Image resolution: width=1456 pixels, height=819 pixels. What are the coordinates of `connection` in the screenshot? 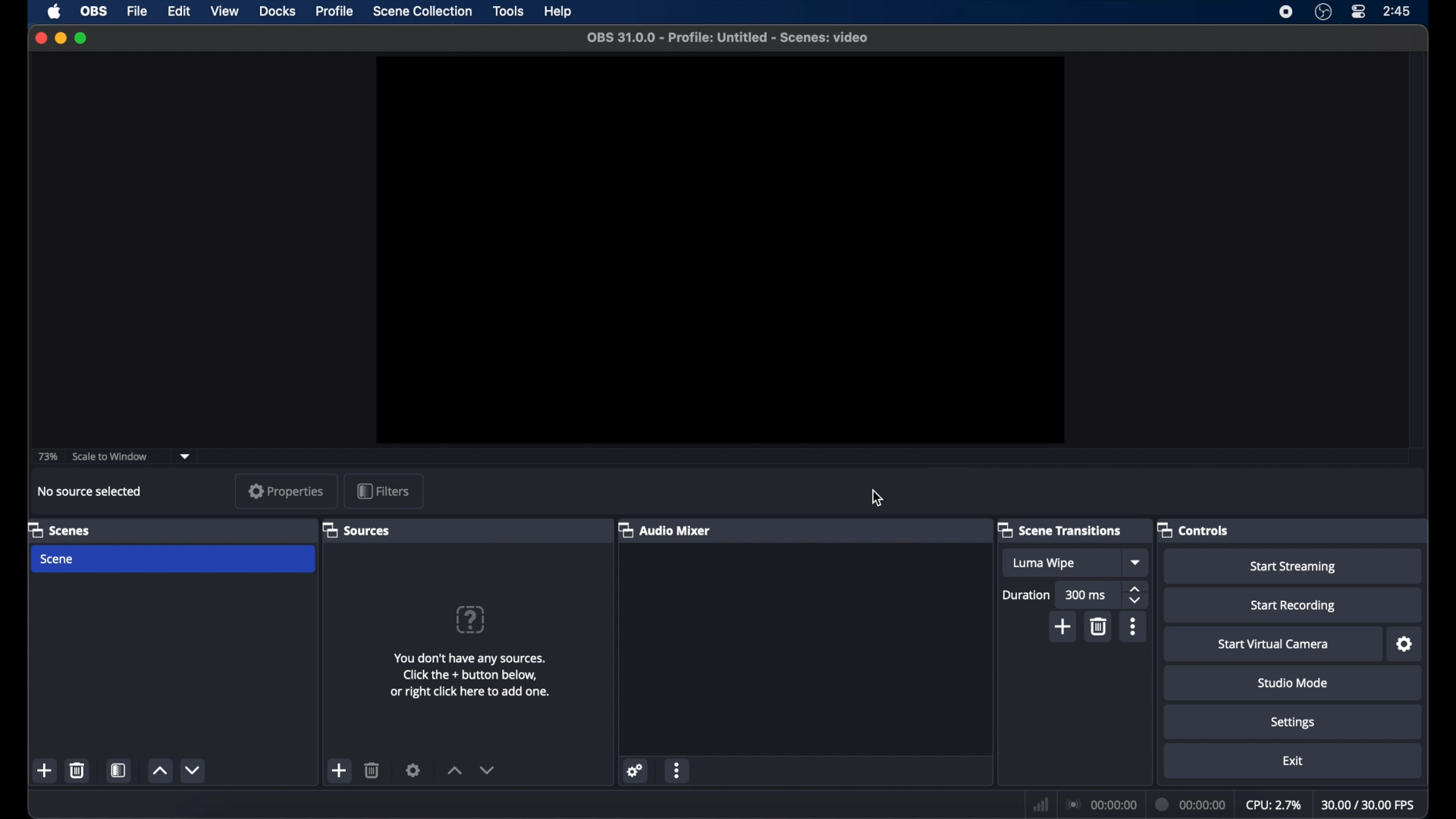 It's located at (1100, 804).